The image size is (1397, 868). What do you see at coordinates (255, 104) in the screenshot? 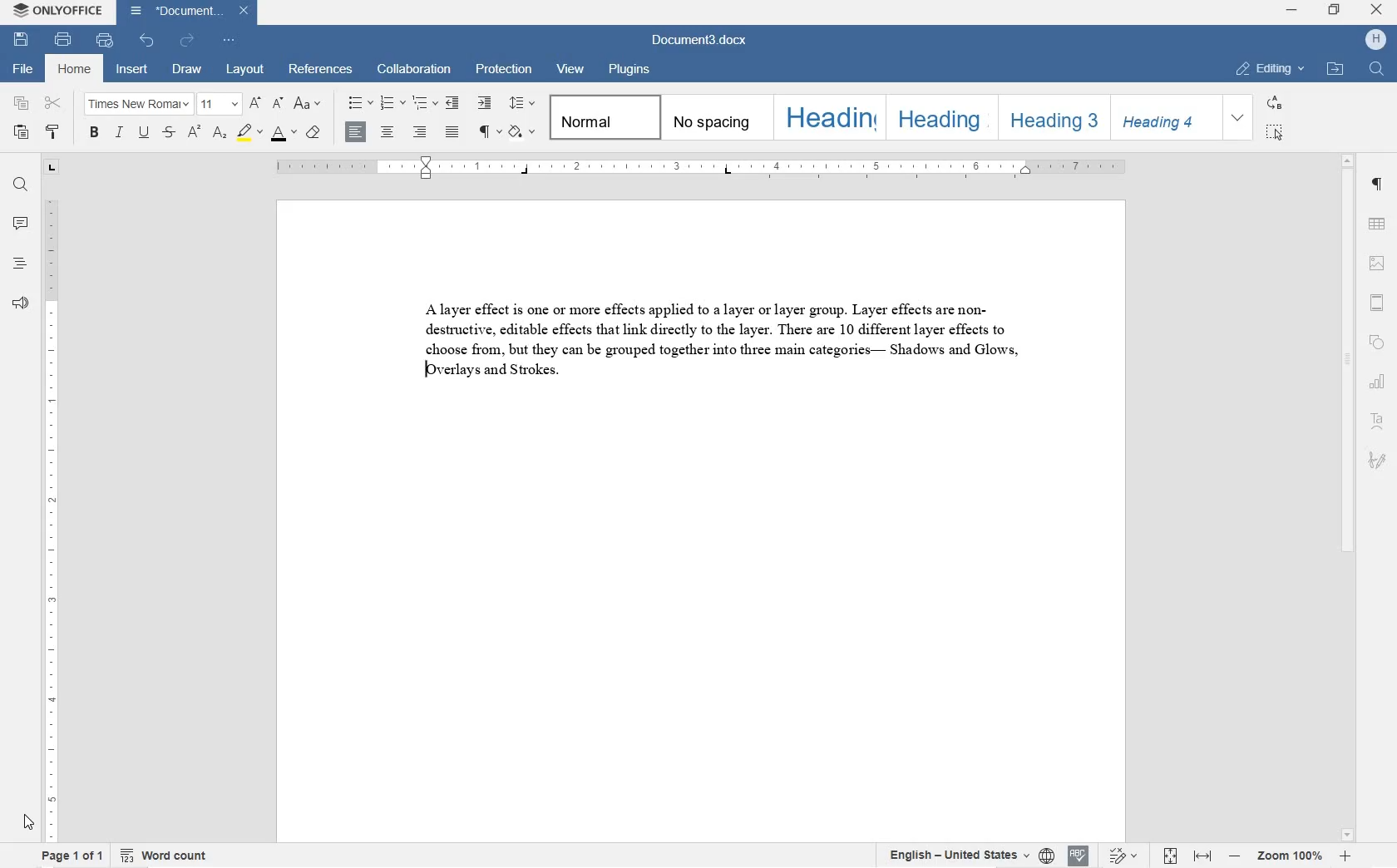
I see `increment font size` at bounding box center [255, 104].